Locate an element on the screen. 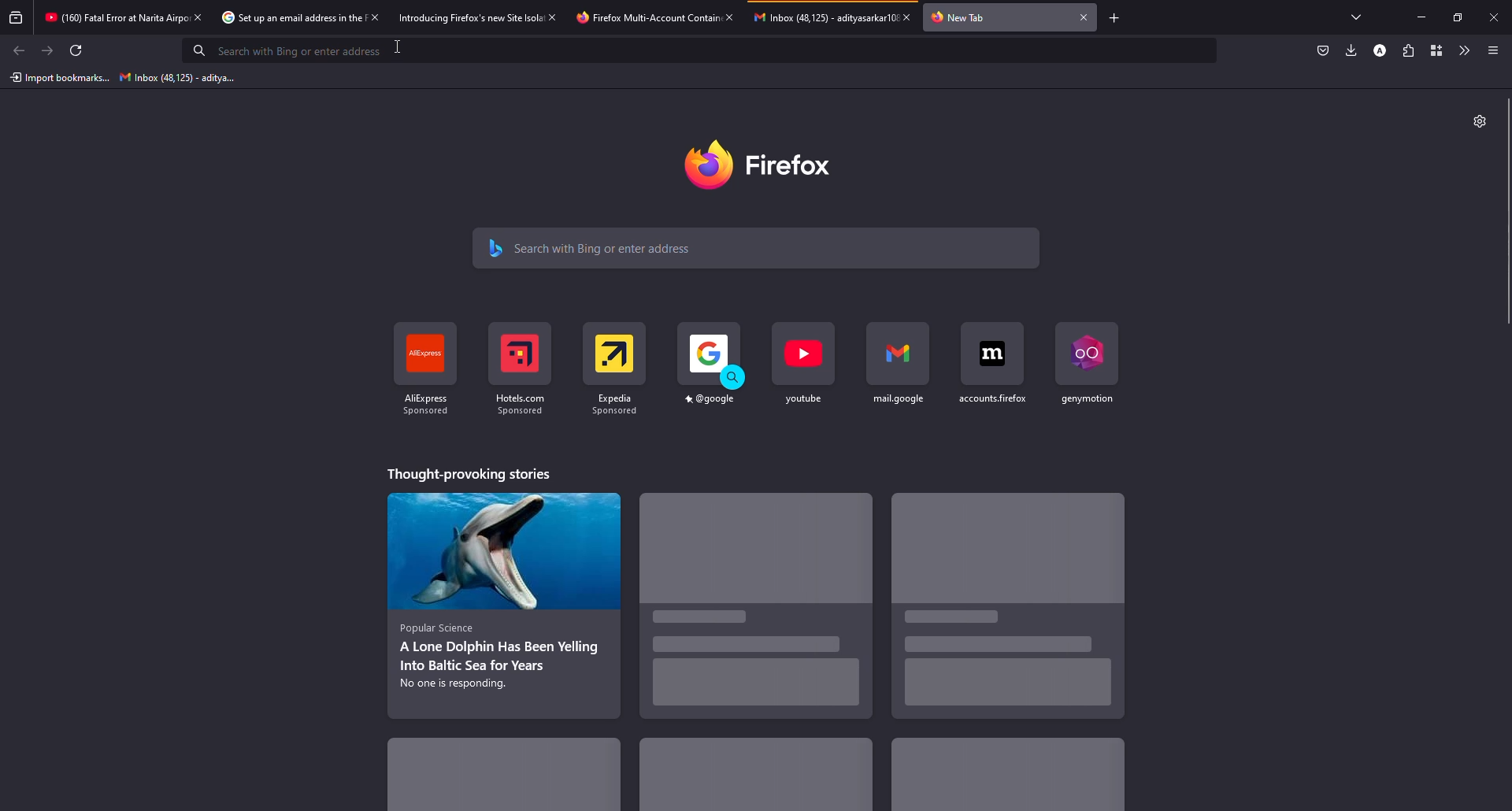 The width and height of the screenshot is (1512, 811). search is located at coordinates (286, 50).